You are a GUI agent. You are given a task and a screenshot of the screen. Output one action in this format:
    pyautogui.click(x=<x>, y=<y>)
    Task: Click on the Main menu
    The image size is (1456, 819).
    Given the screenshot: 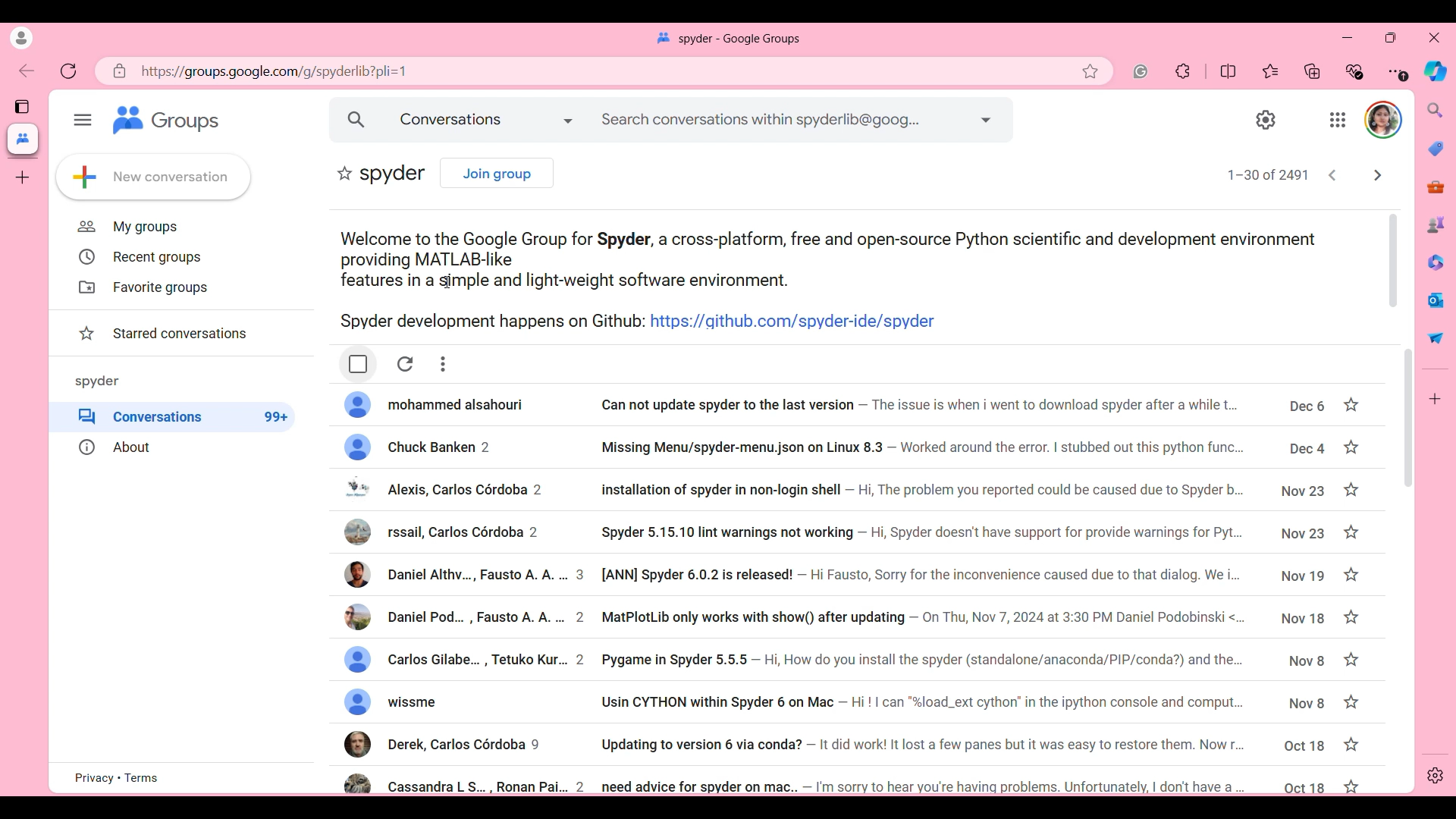 What is the action you would take?
    pyautogui.click(x=83, y=120)
    